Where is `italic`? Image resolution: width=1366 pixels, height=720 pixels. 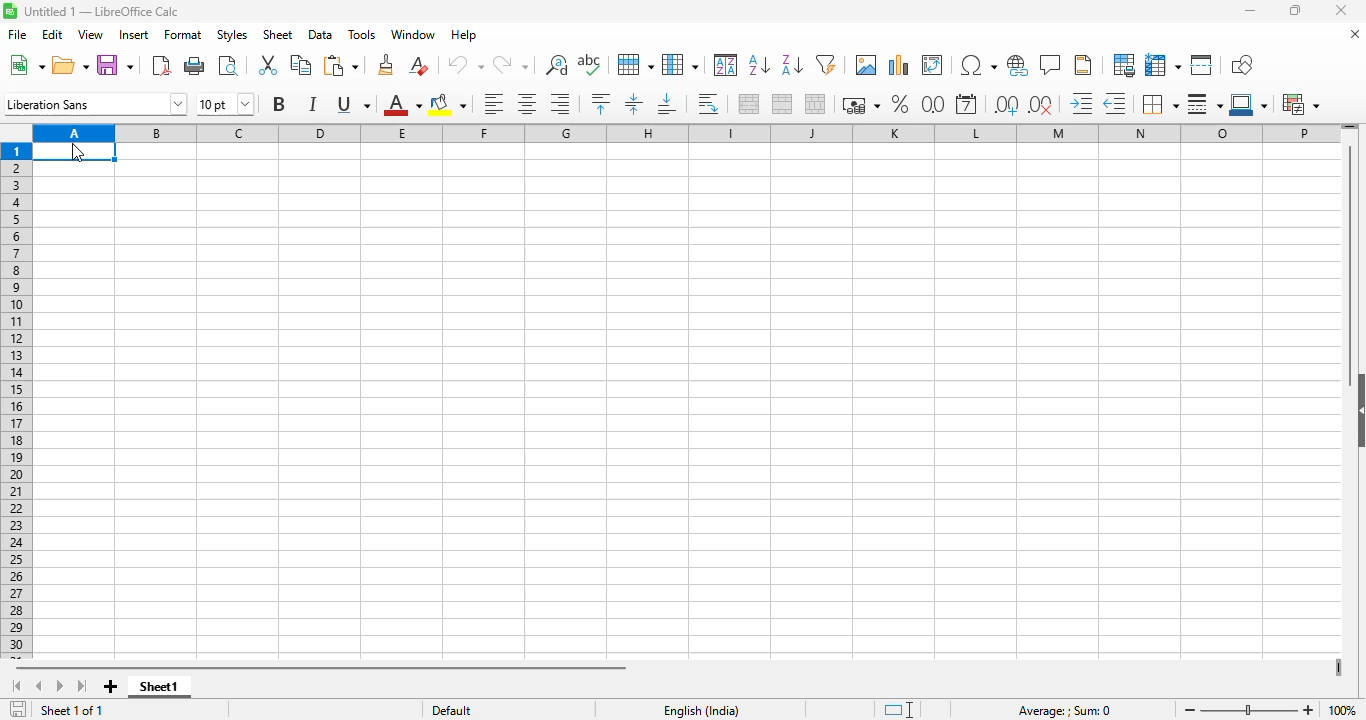 italic is located at coordinates (312, 103).